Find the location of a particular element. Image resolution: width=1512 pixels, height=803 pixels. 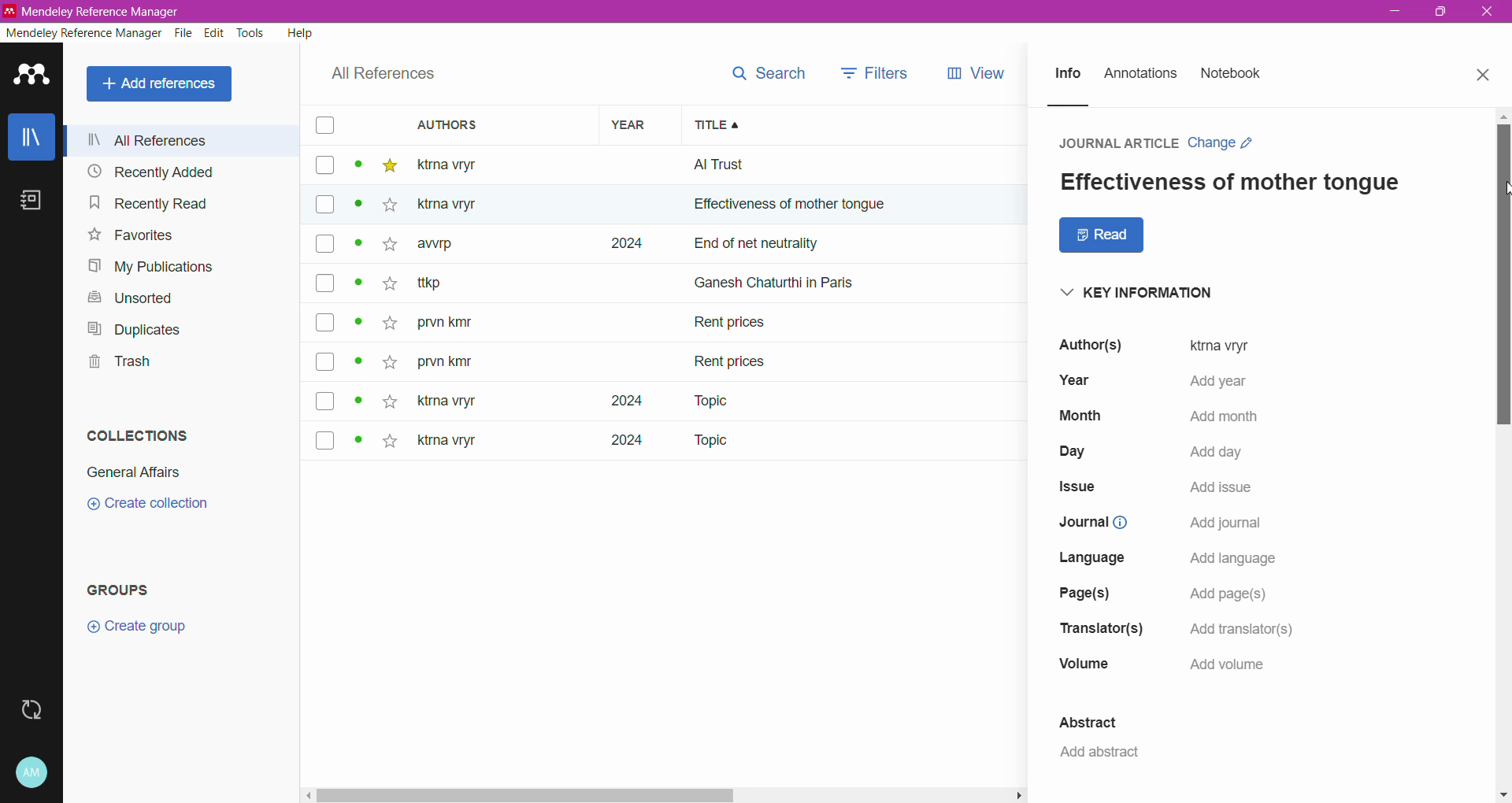

File is located at coordinates (185, 33).